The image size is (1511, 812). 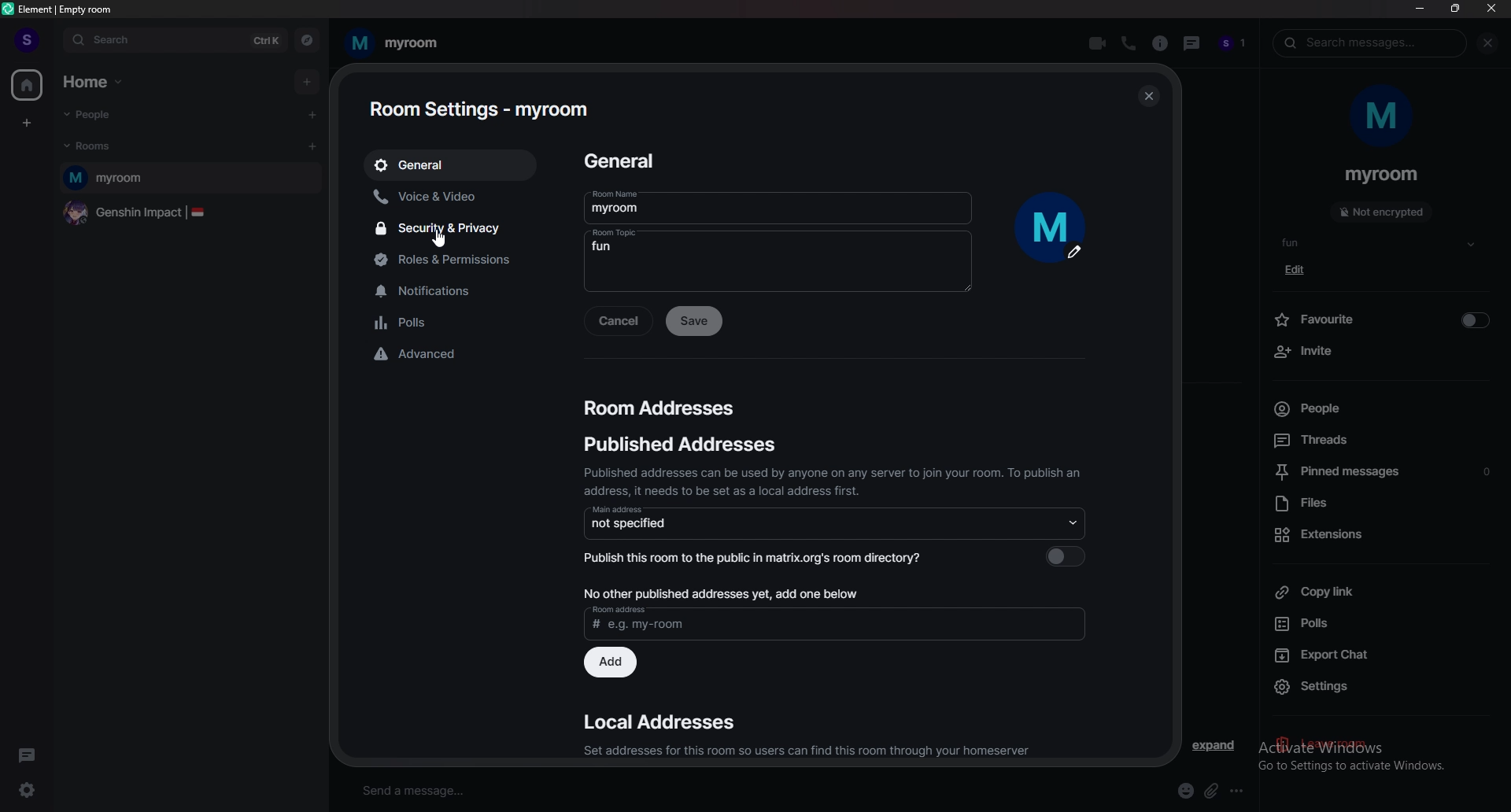 What do you see at coordinates (106, 113) in the screenshot?
I see `people` at bounding box center [106, 113].